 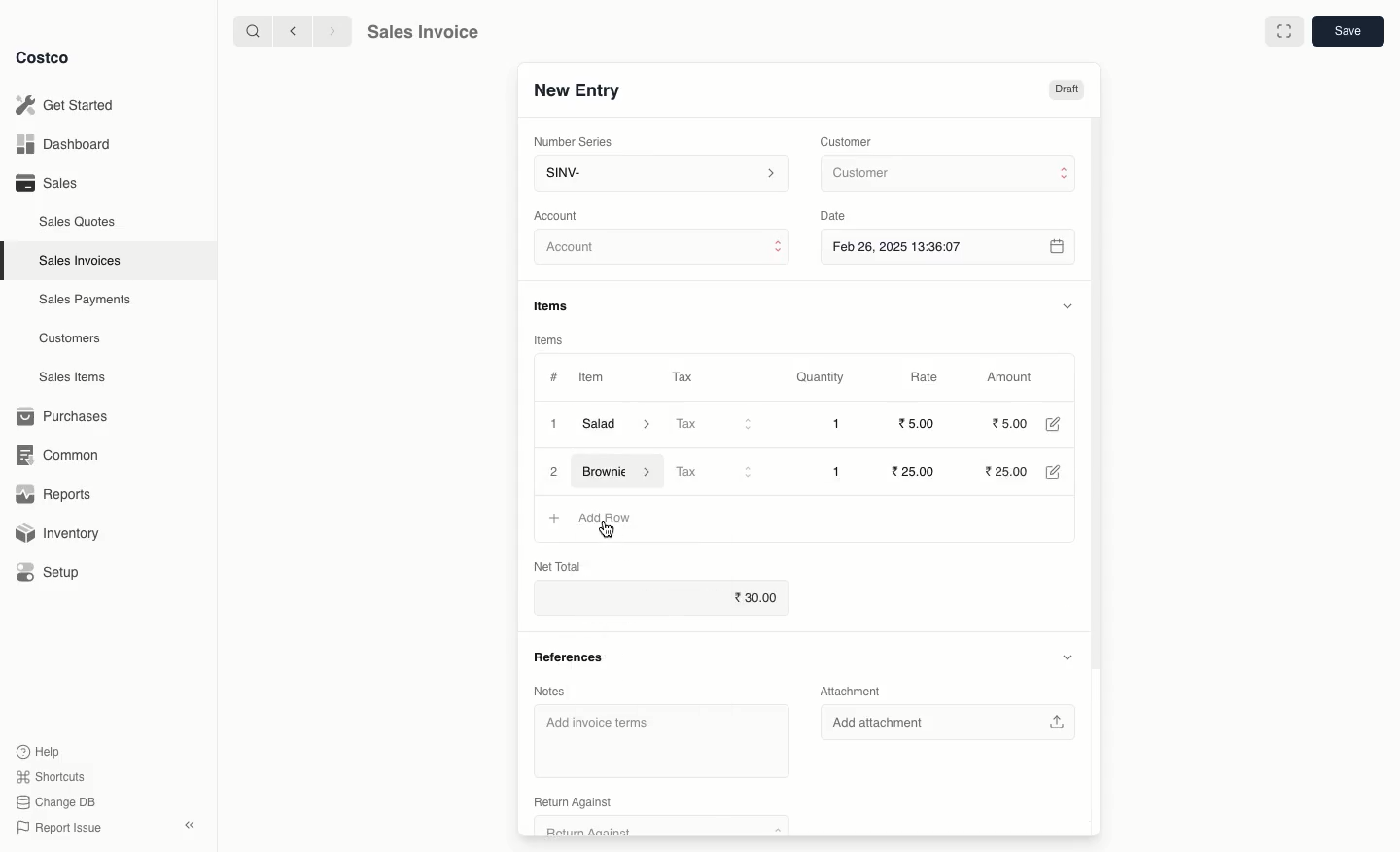 I want to click on Account, so click(x=663, y=250).